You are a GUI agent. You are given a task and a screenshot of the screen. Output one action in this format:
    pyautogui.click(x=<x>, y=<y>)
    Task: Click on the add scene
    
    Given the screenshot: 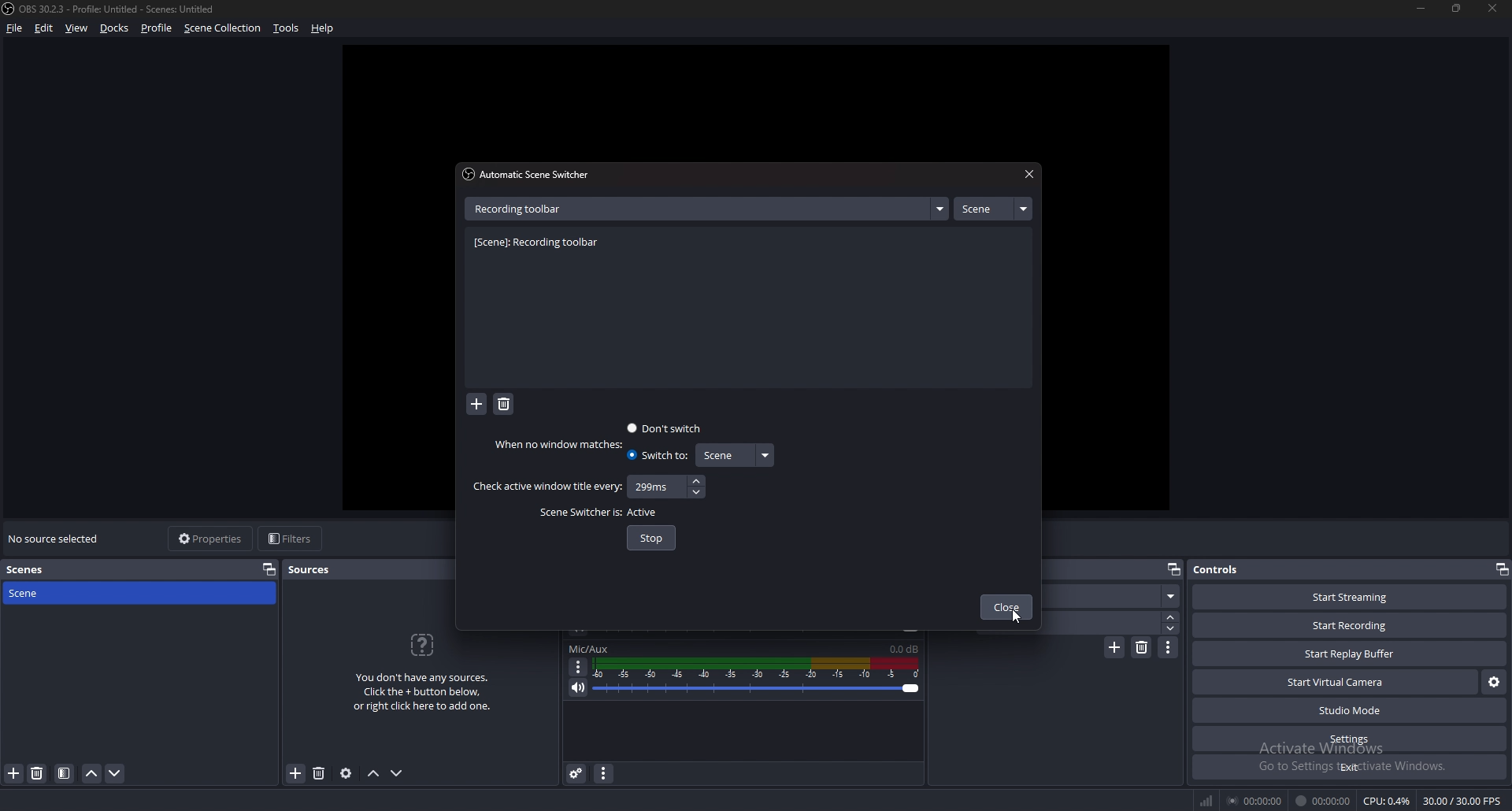 What is the action you would take?
    pyautogui.click(x=14, y=772)
    